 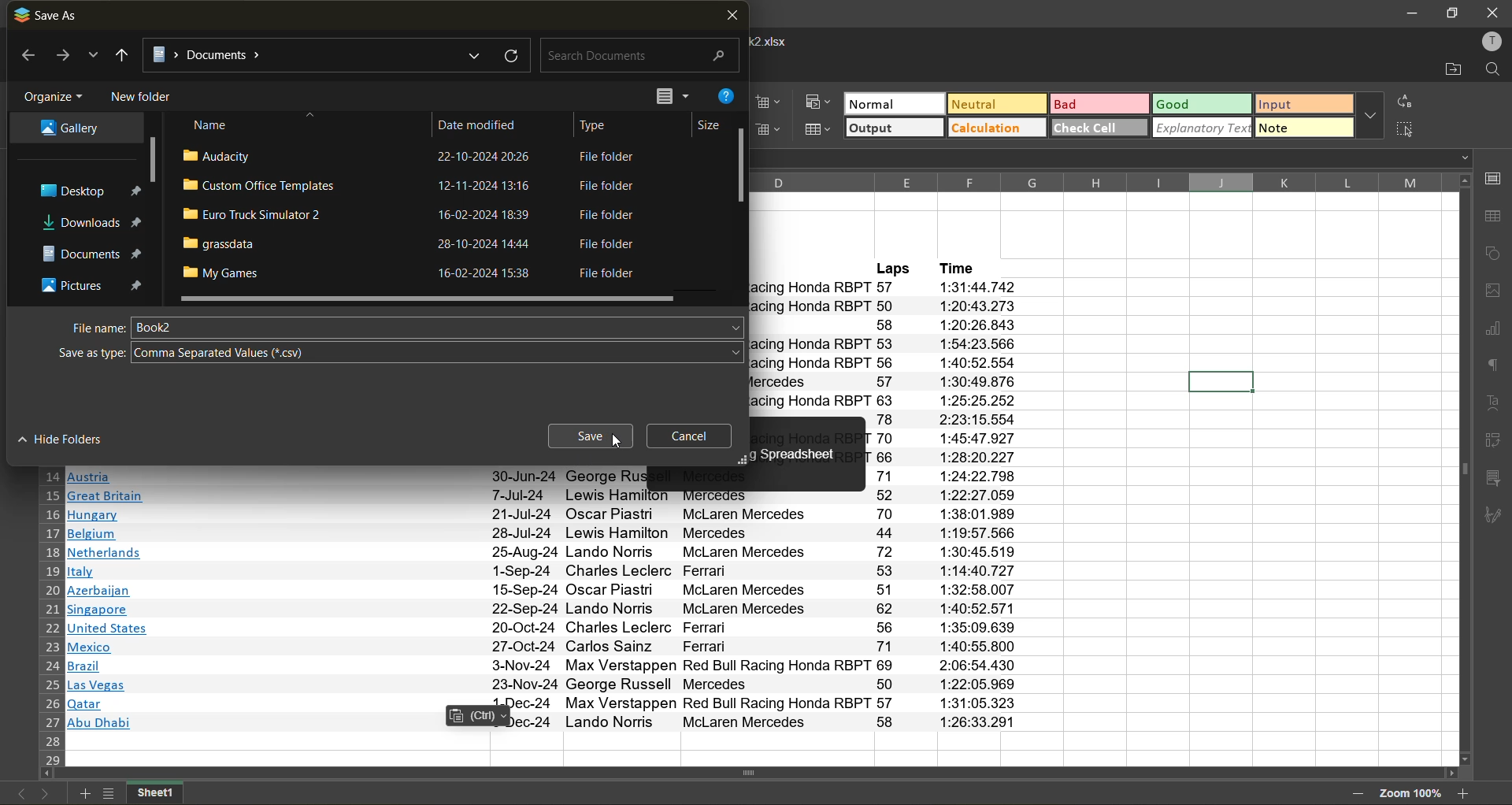 I want to click on table, so click(x=1494, y=219).